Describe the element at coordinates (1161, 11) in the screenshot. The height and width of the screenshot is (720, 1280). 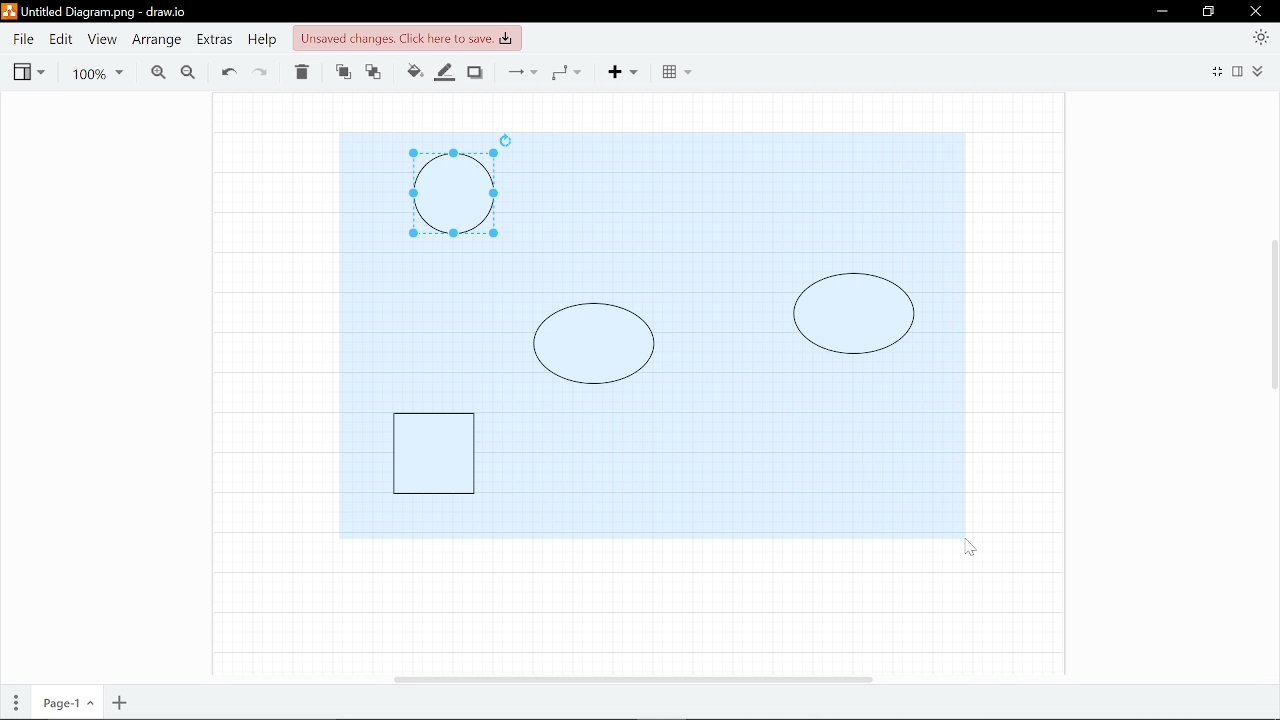
I see `Minimize` at that location.